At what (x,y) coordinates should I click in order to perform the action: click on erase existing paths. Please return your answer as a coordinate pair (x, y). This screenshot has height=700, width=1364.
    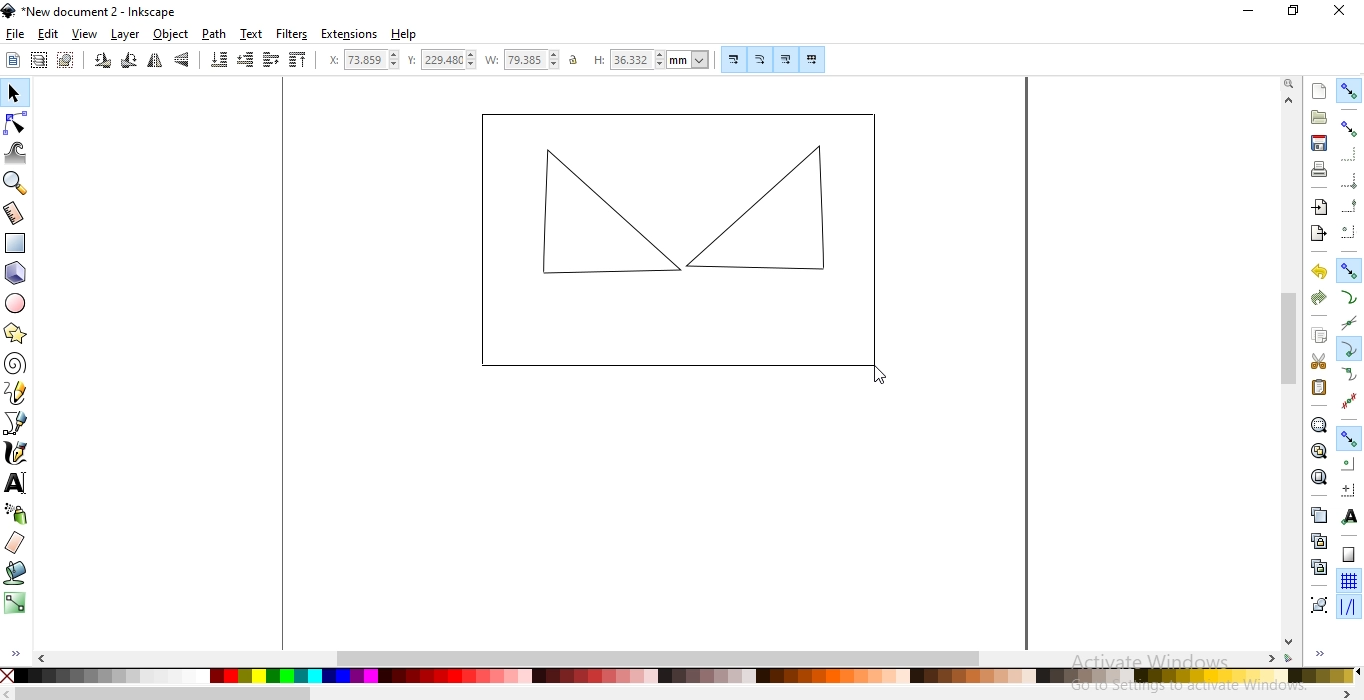
    Looking at the image, I should click on (17, 543).